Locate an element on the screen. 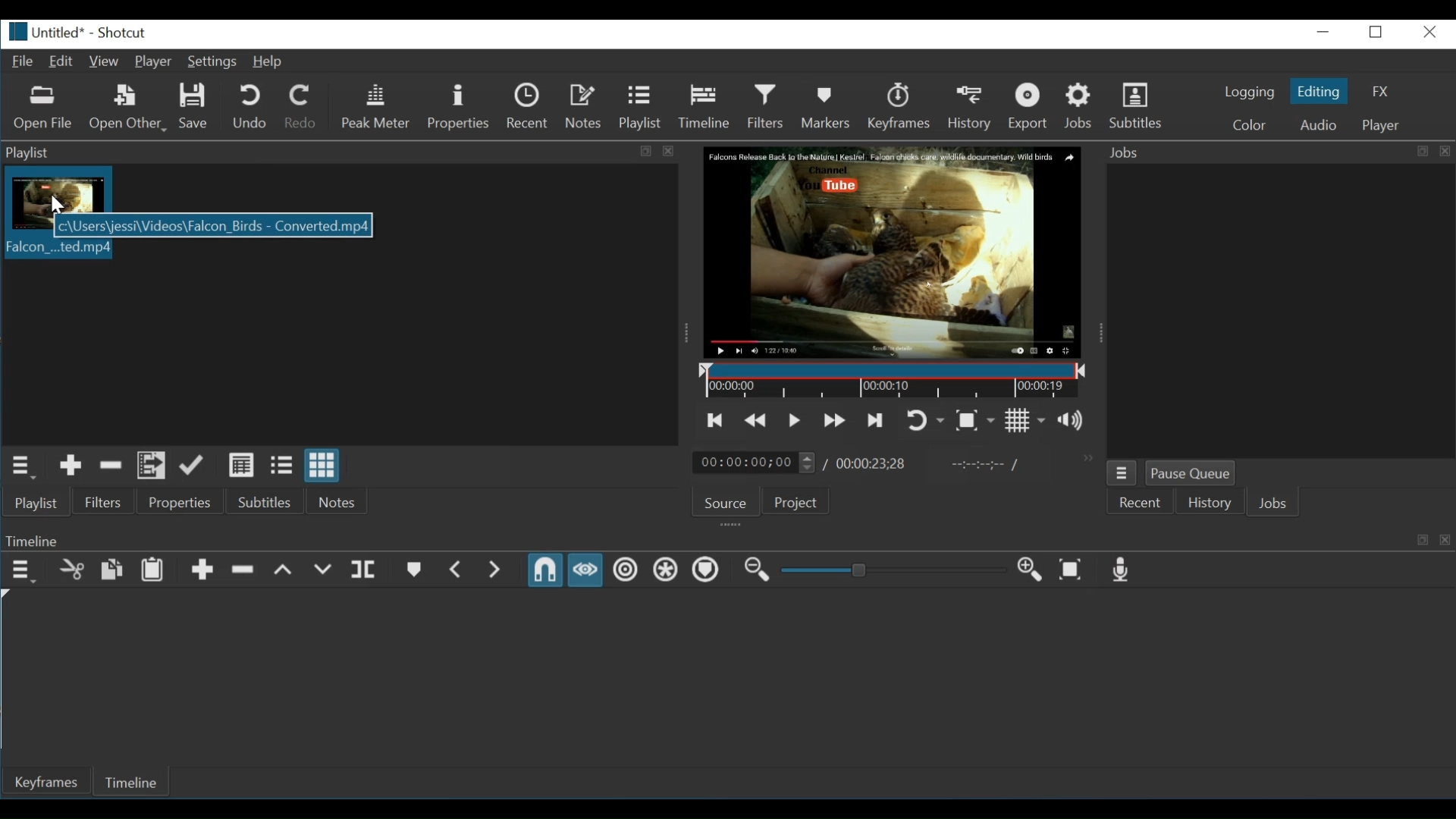 The height and width of the screenshot is (819, 1456). Skip to the next point is located at coordinates (873, 420).